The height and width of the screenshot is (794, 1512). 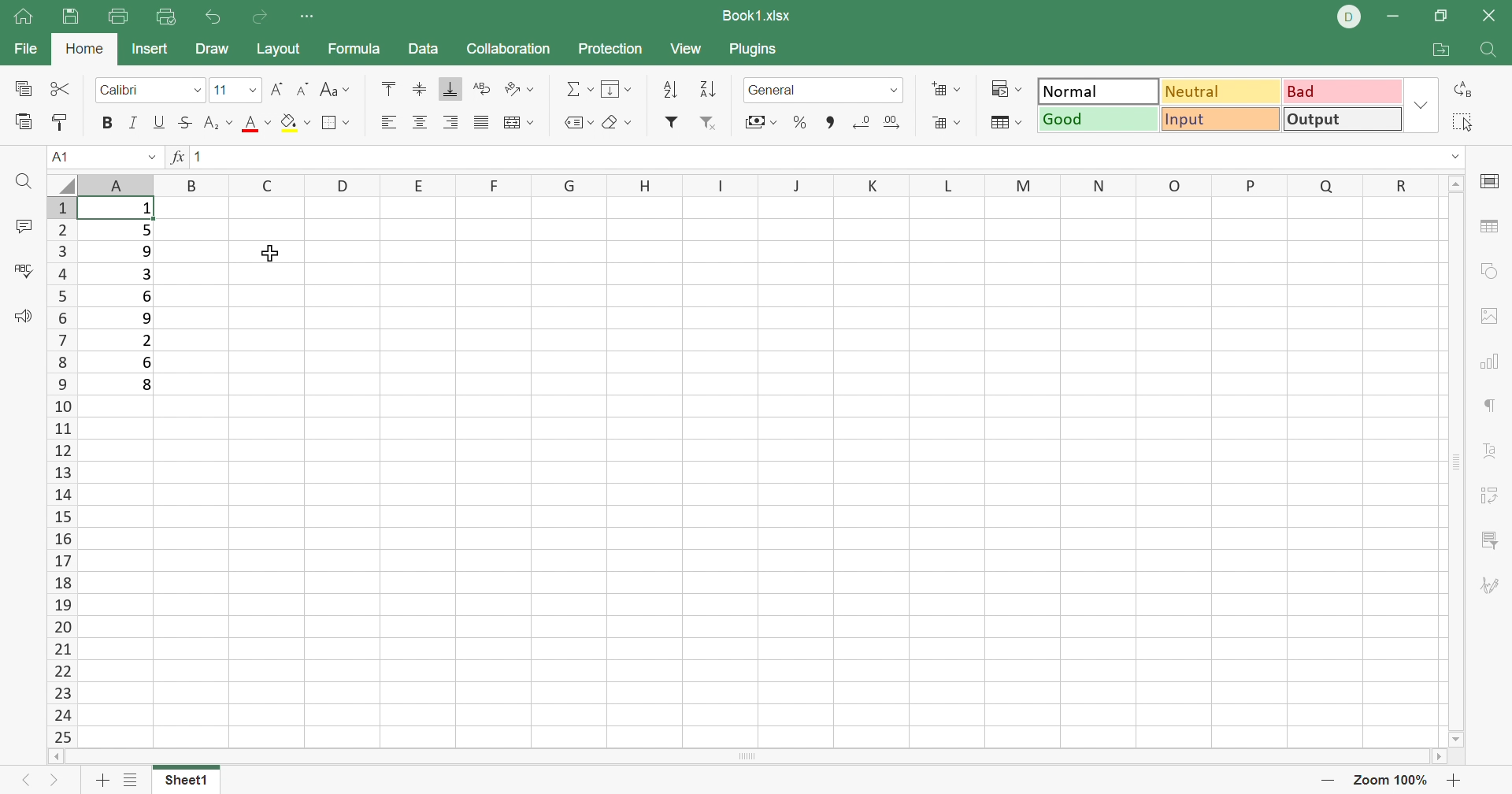 I want to click on Merge and center, so click(x=521, y=124).